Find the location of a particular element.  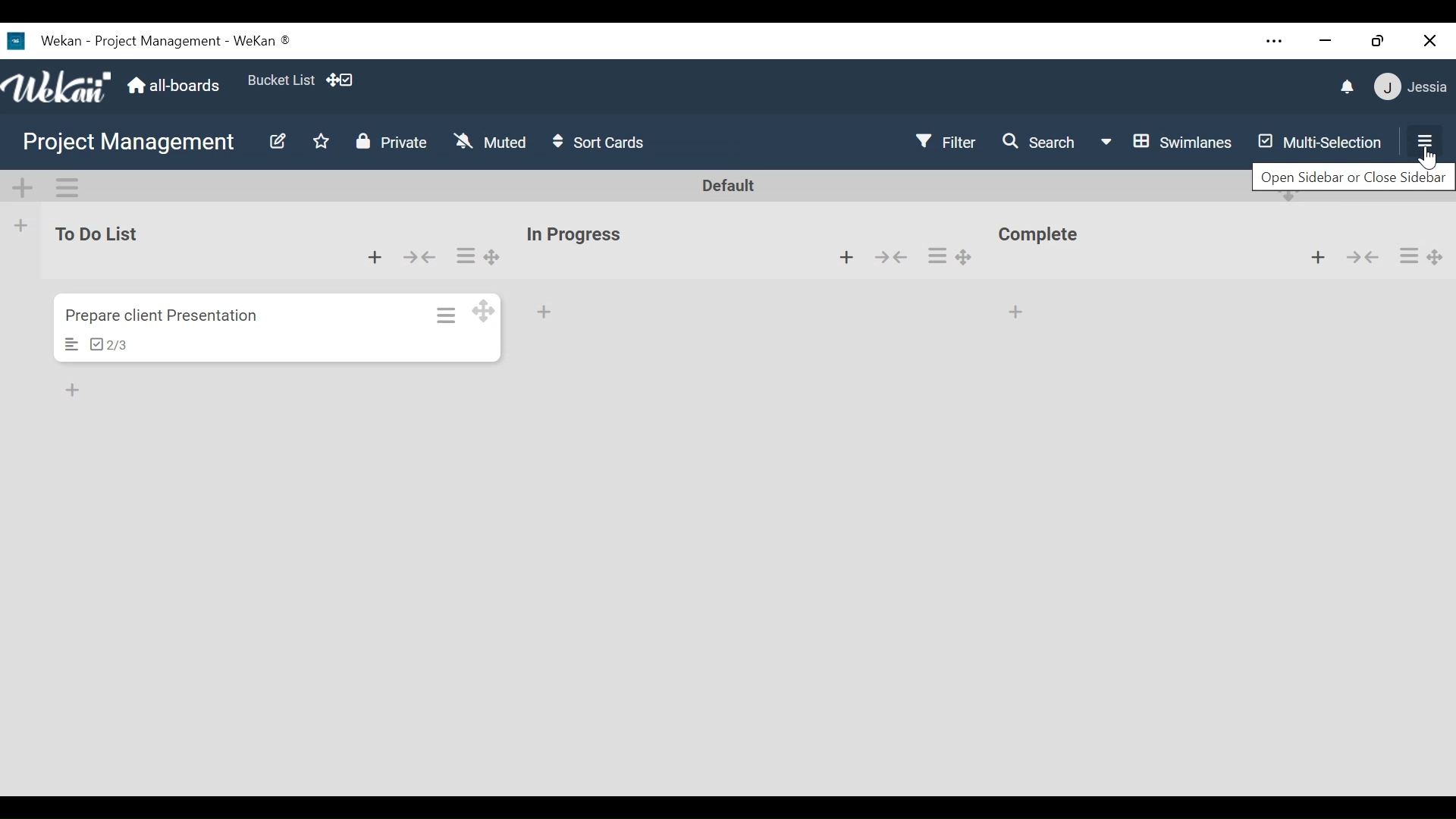

Add card to top of the list is located at coordinates (1016, 312).